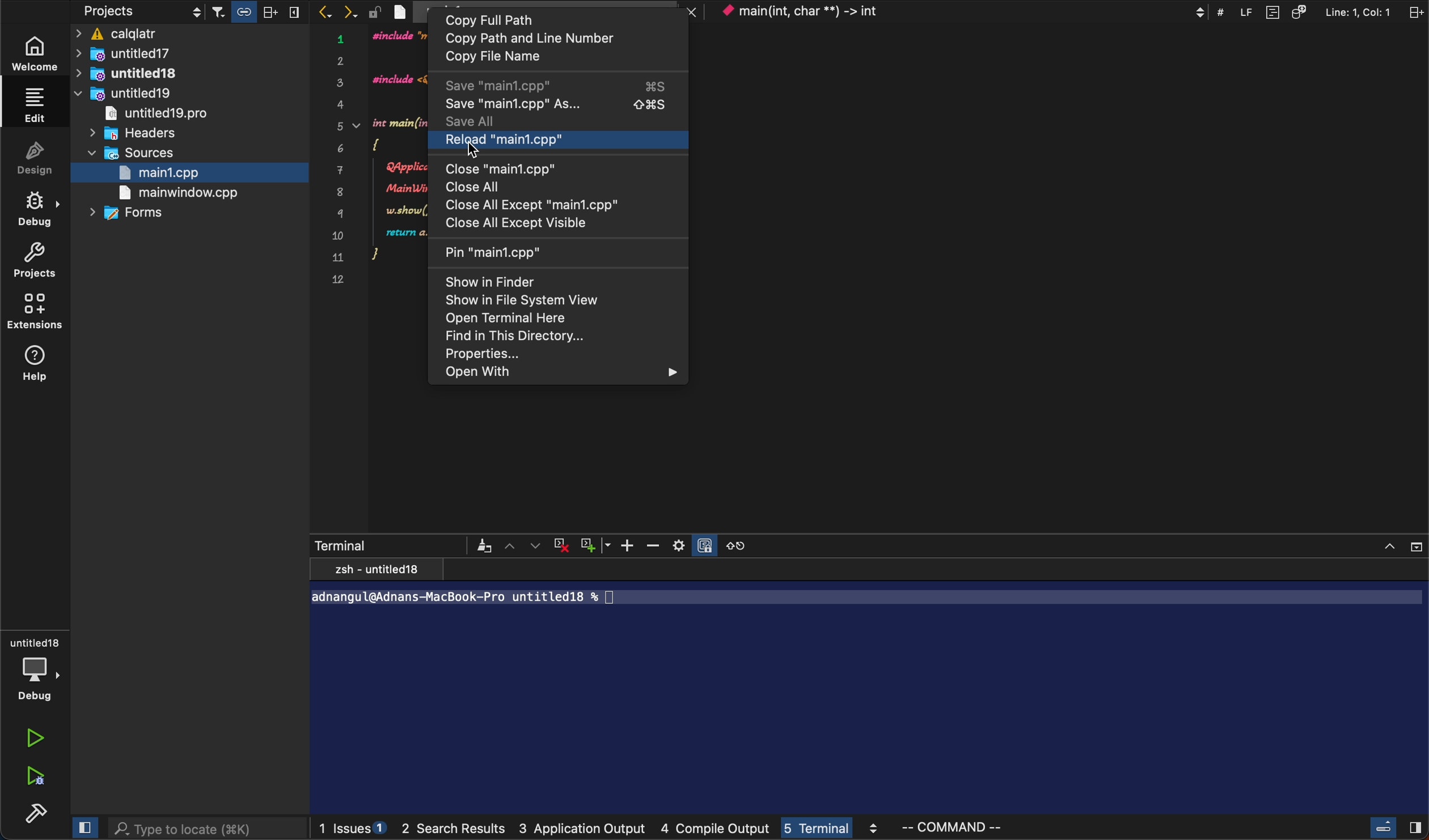  What do you see at coordinates (38, 313) in the screenshot?
I see `extentions` at bounding box center [38, 313].